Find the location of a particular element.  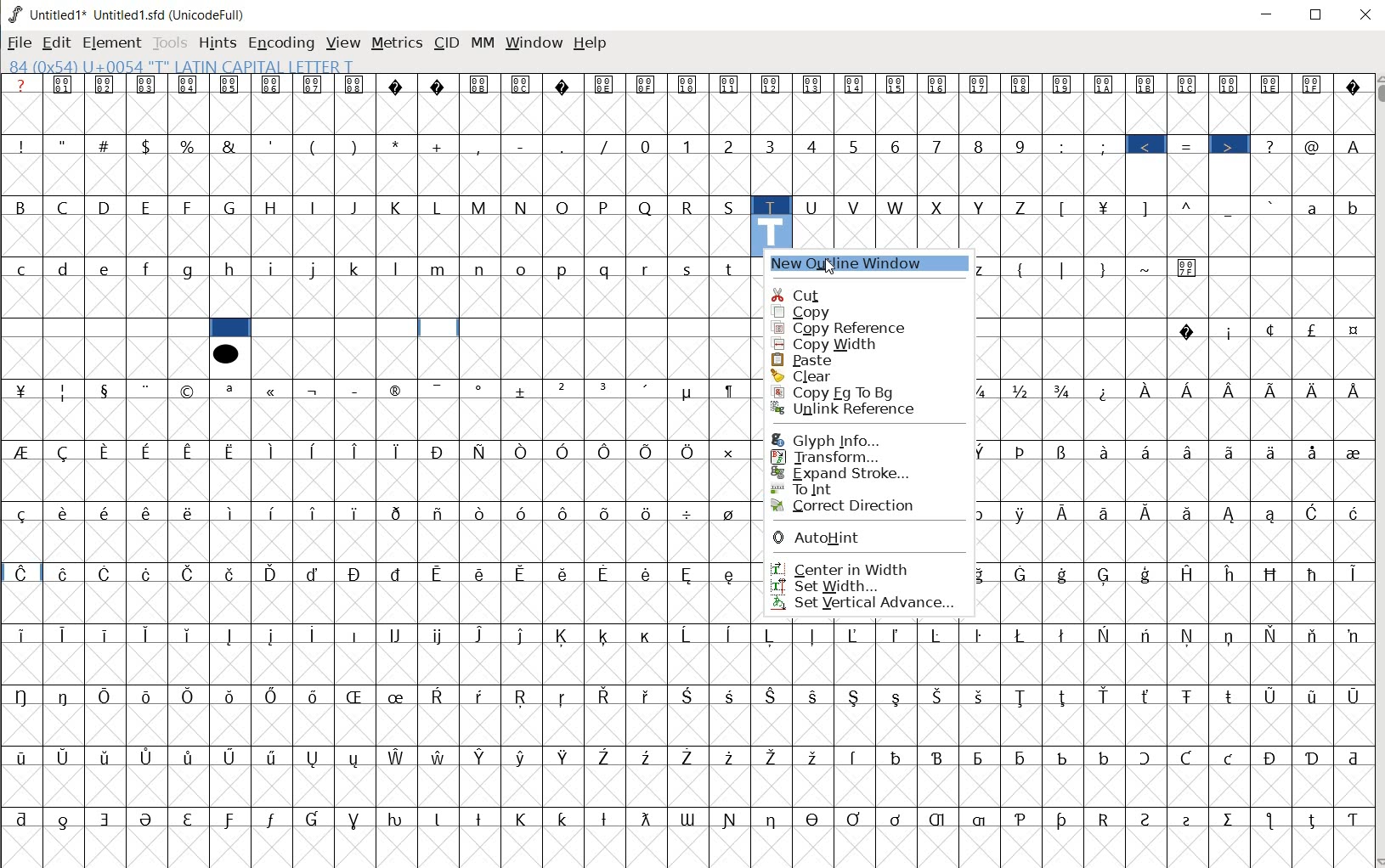

Symbol is located at coordinates (1148, 451).